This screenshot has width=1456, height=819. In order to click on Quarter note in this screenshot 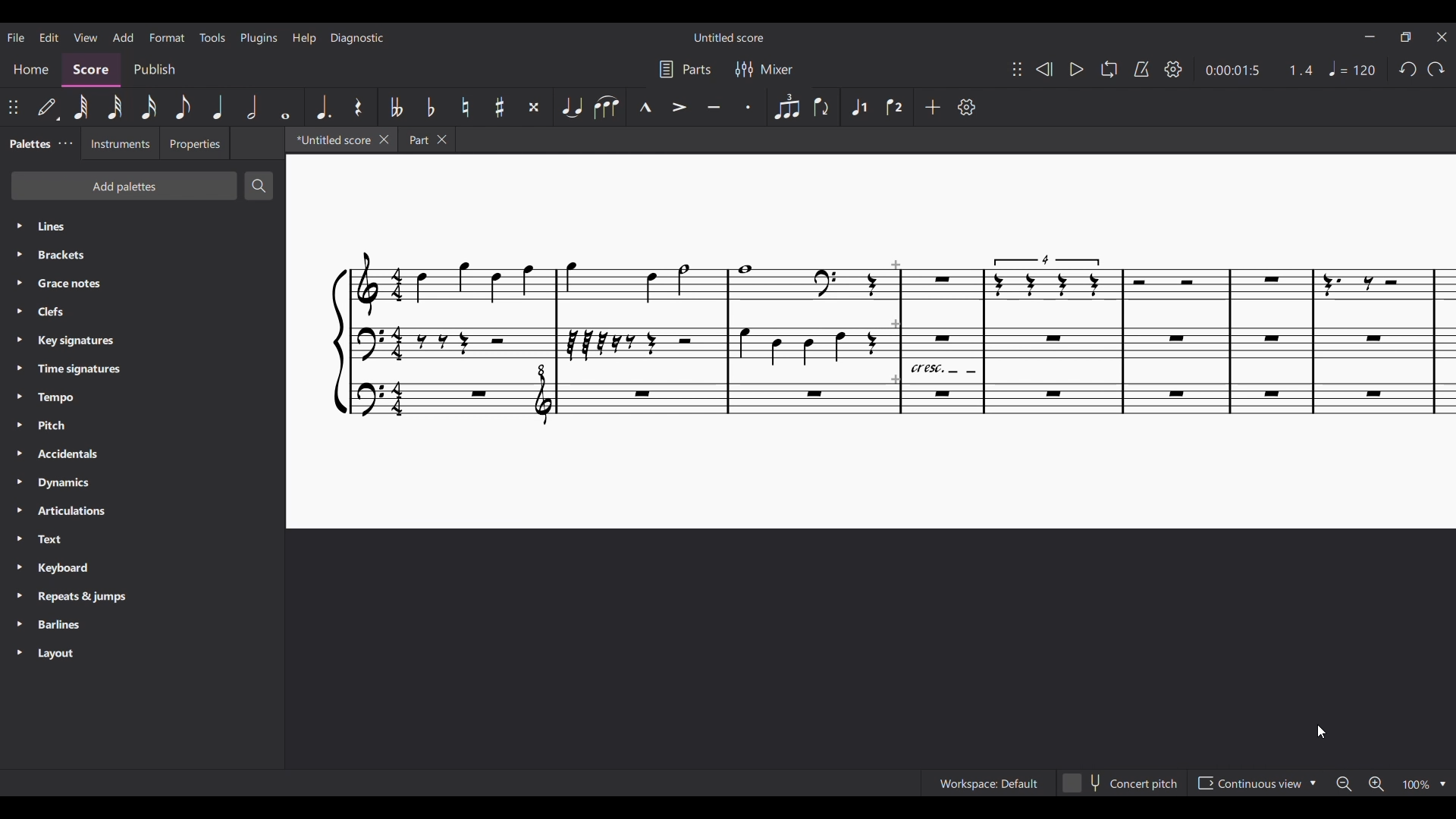, I will do `click(219, 107)`.